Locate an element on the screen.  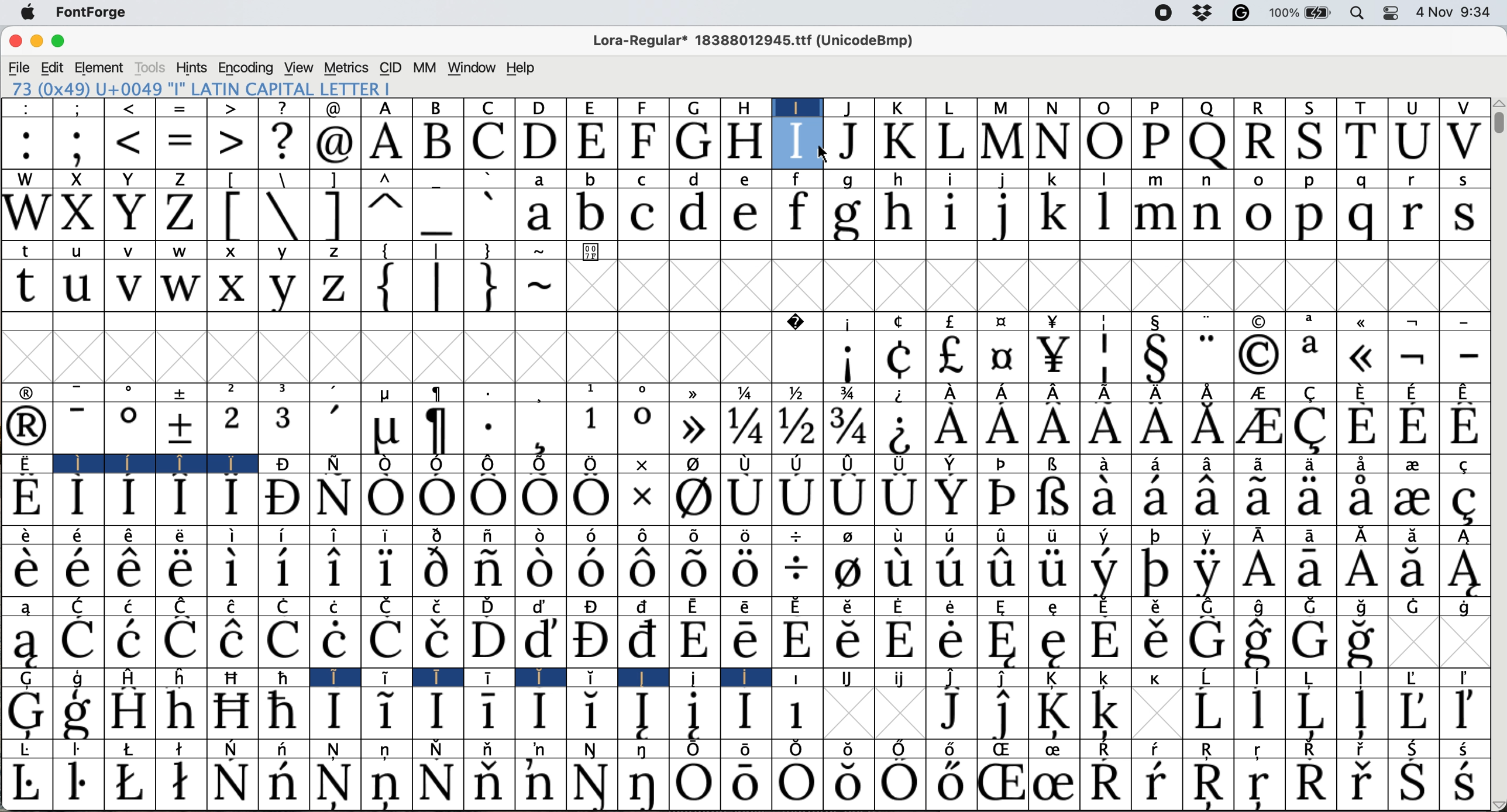
symbol is located at coordinates (1057, 392).